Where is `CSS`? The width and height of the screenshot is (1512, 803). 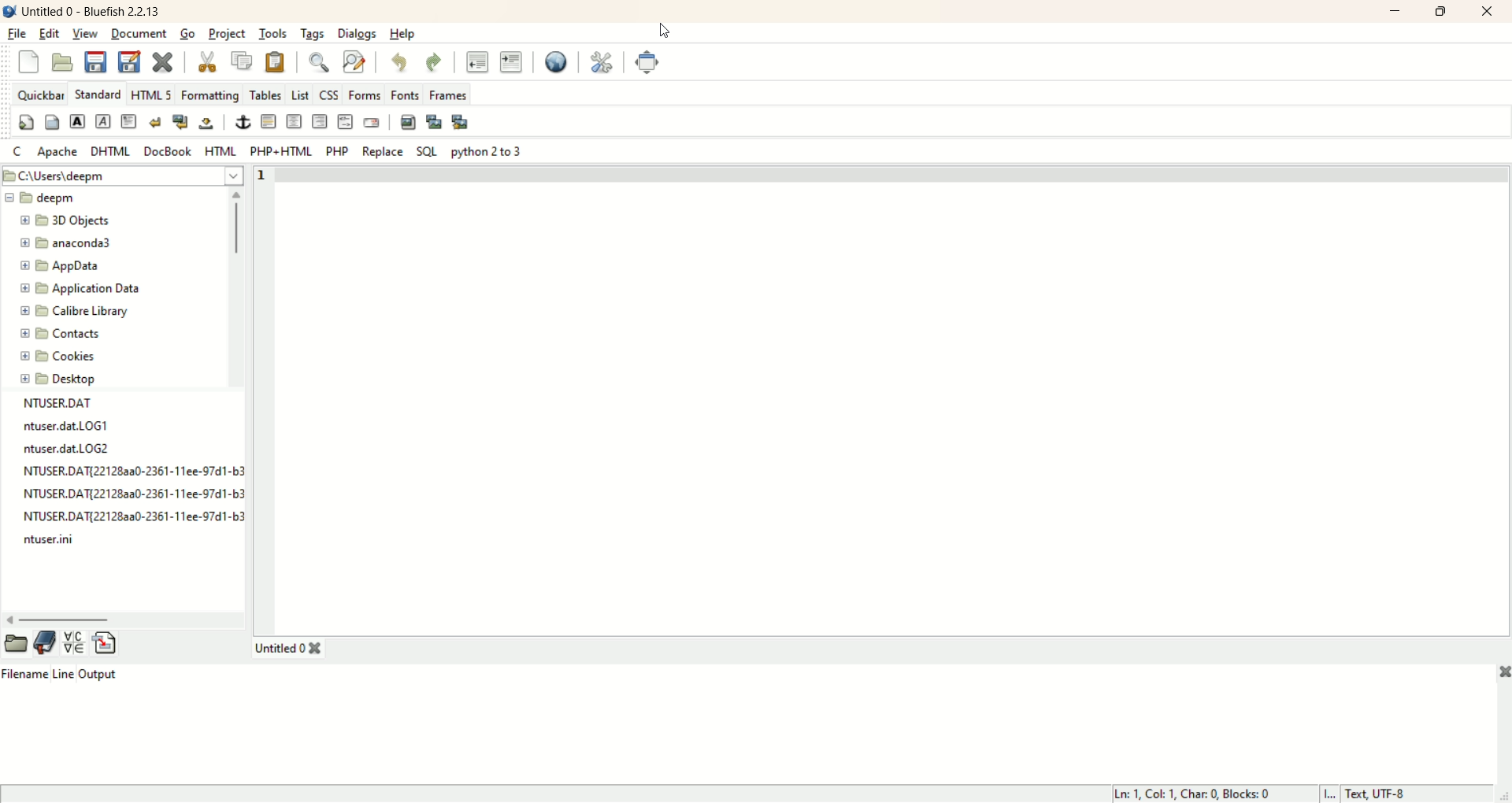
CSS is located at coordinates (331, 94).